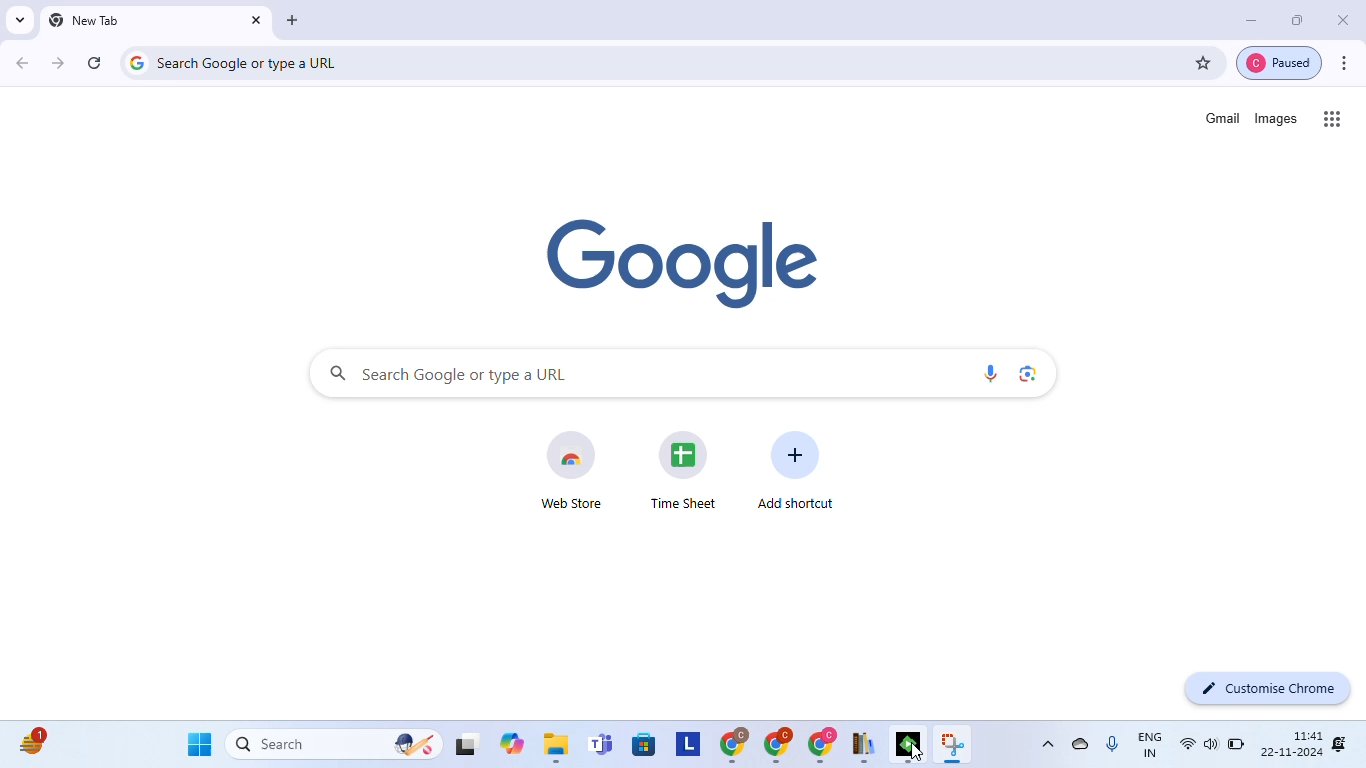 This screenshot has height=768, width=1366. I want to click on add shortcut, so click(796, 468).